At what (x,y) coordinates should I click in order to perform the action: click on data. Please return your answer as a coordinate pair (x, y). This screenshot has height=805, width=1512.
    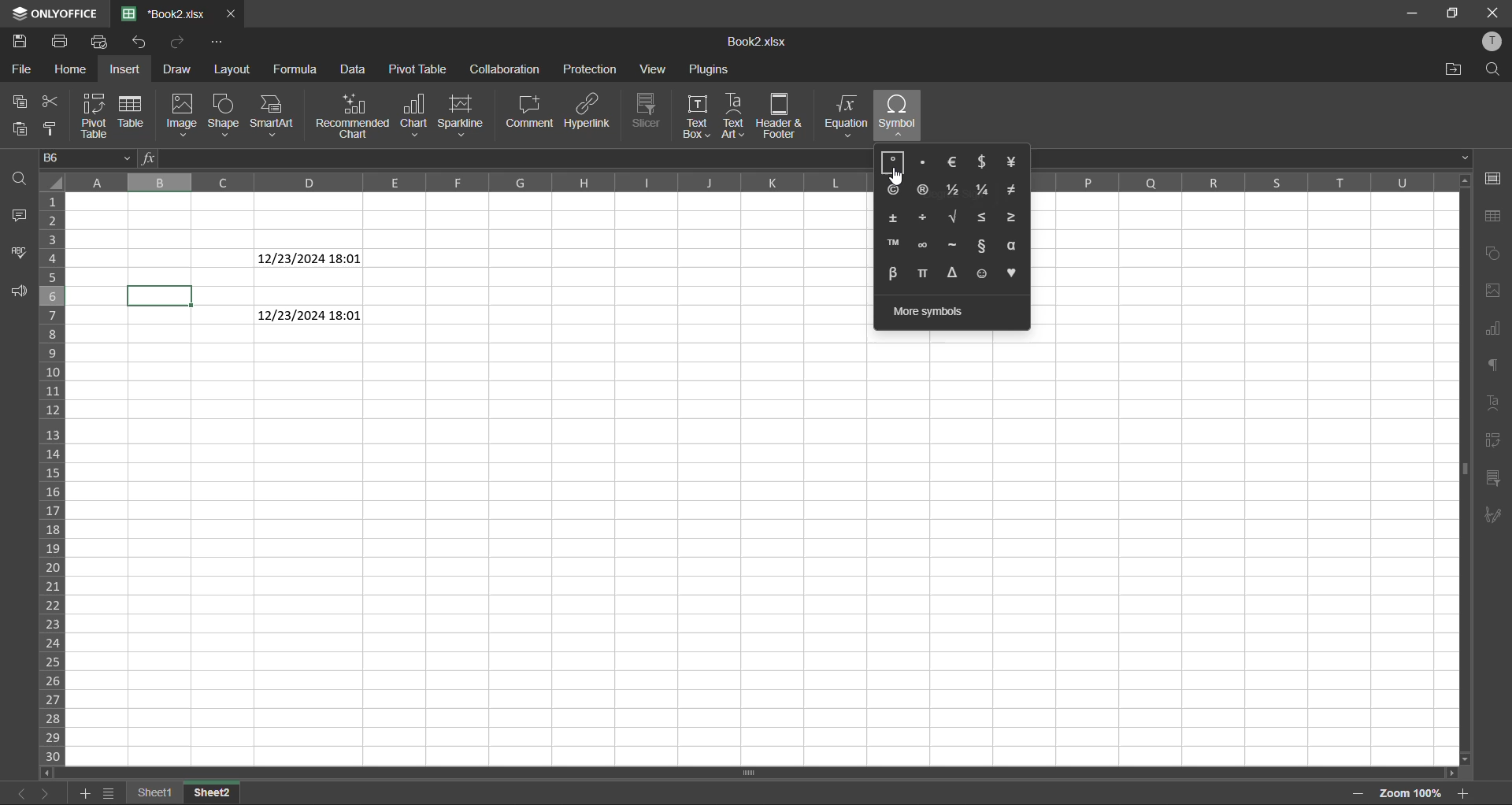
    Looking at the image, I should click on (354, 70).